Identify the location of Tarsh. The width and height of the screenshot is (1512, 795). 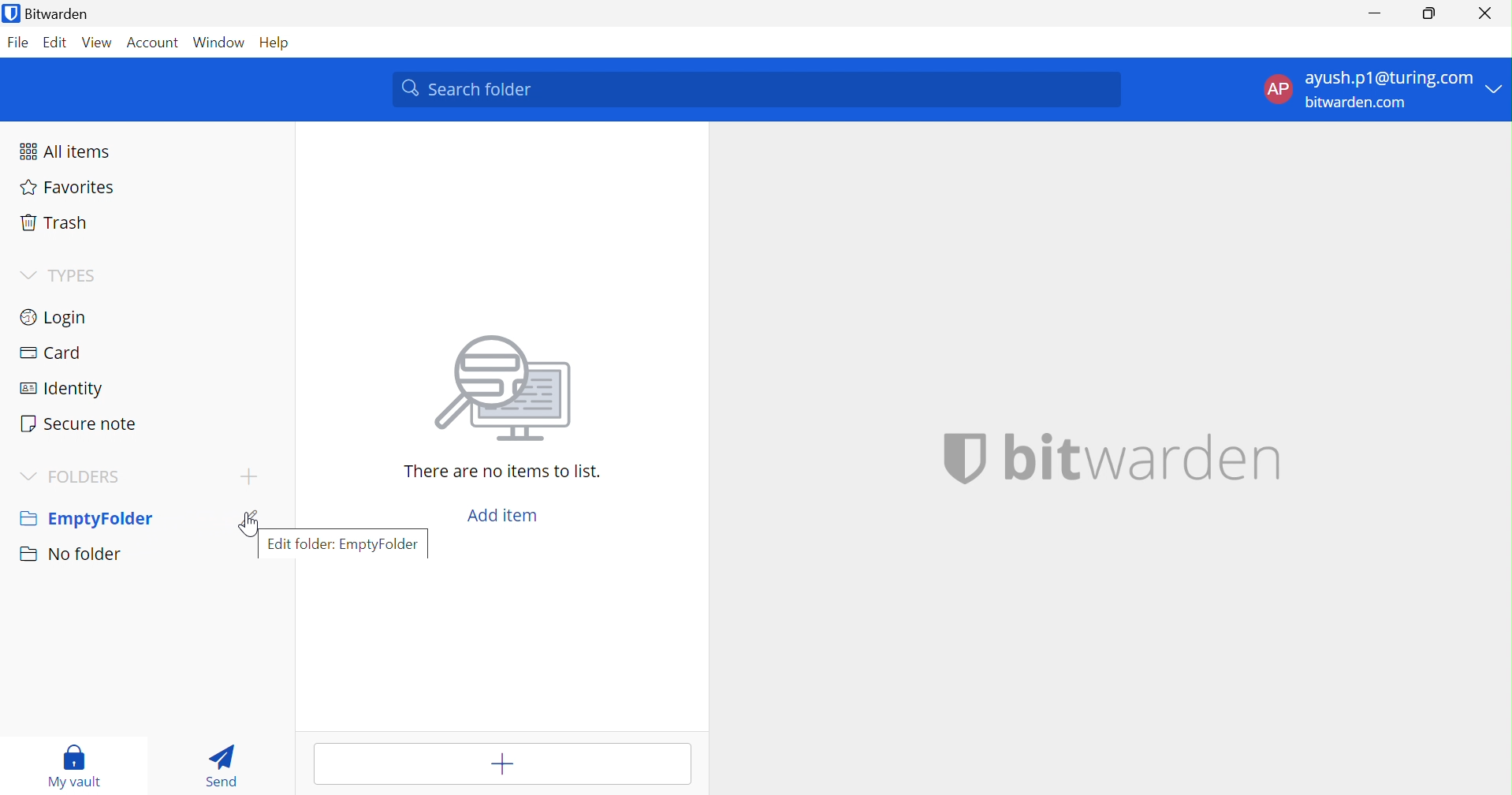
(59, 222).